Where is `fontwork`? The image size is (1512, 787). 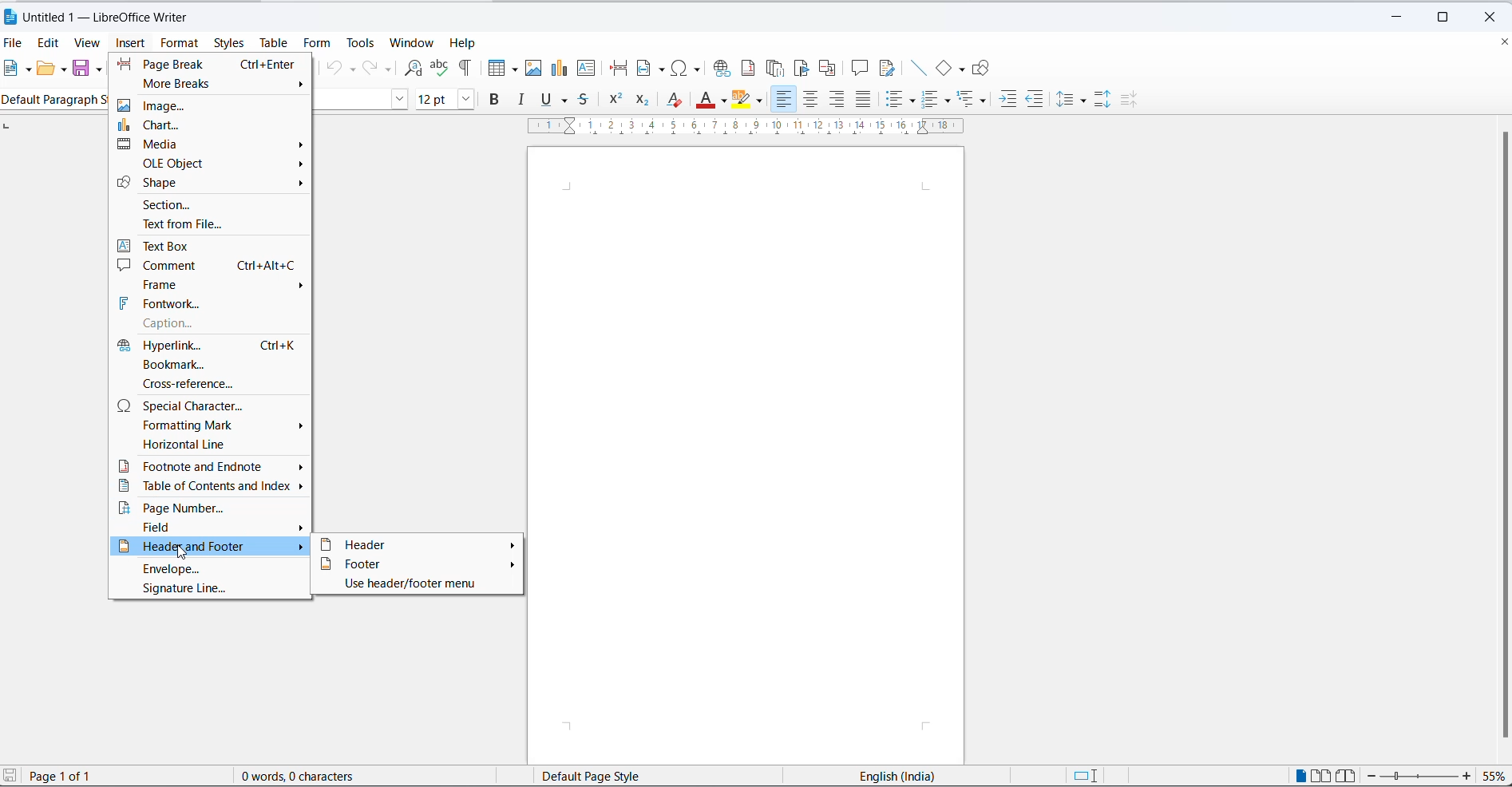 fontwork is located at coordinates (212, 305).